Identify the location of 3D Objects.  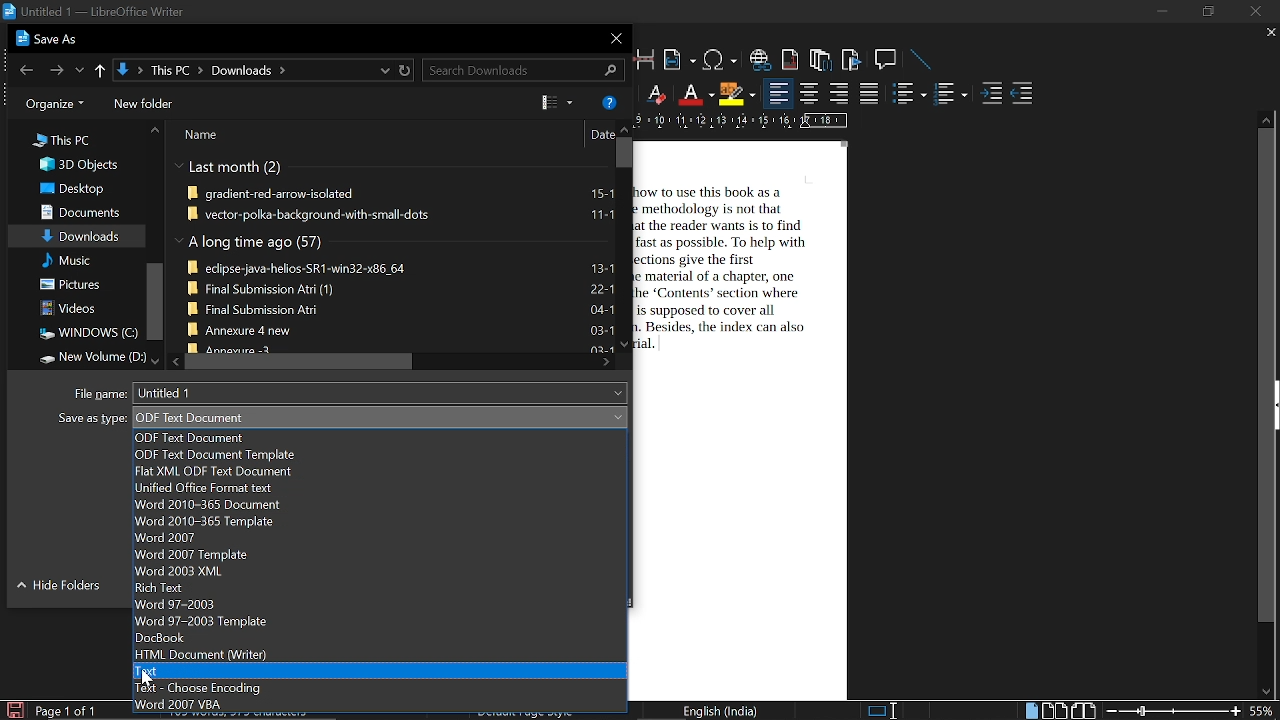
(77, 165).